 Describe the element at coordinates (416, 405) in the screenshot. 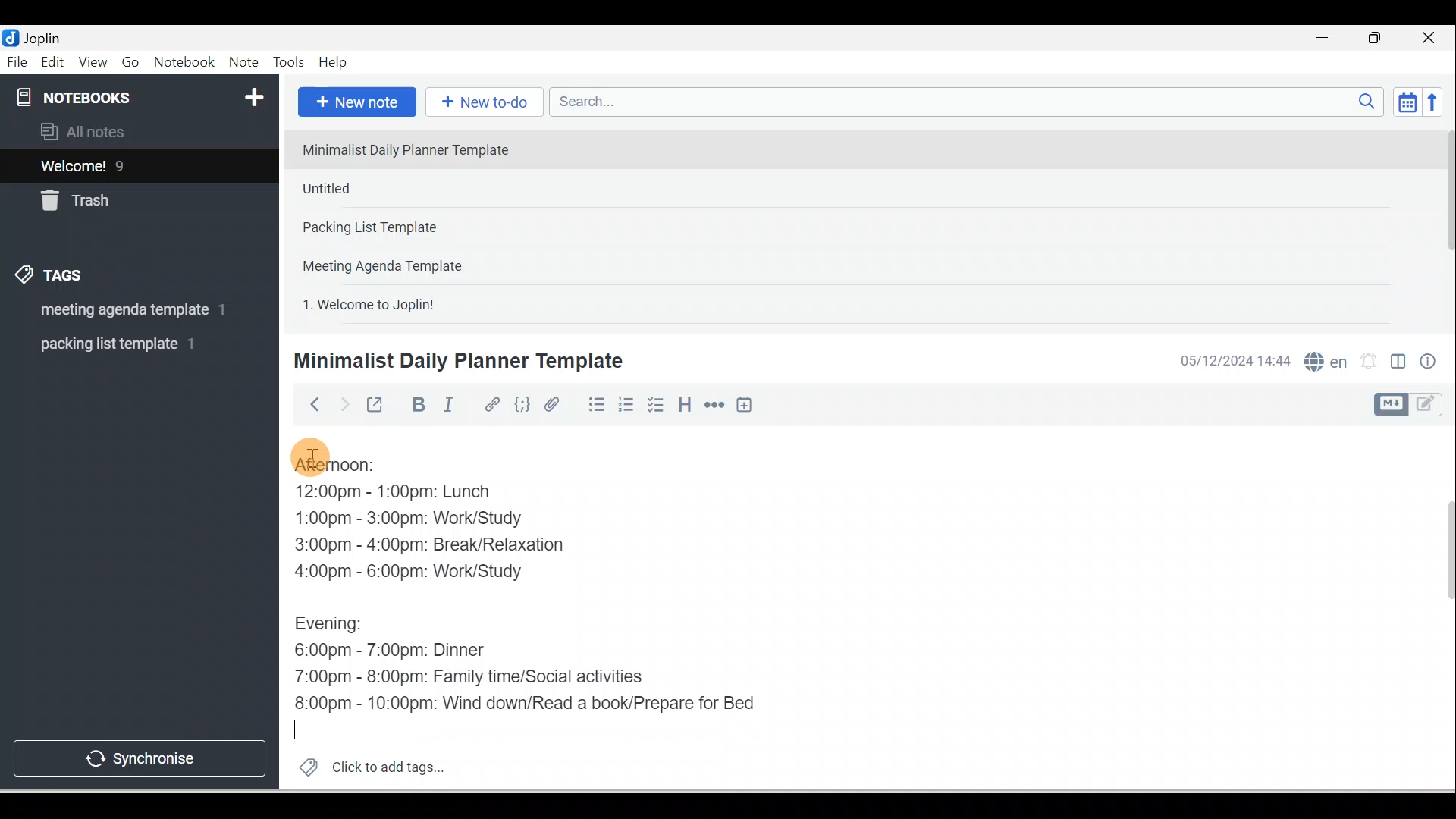

I see `Bold` at that location.